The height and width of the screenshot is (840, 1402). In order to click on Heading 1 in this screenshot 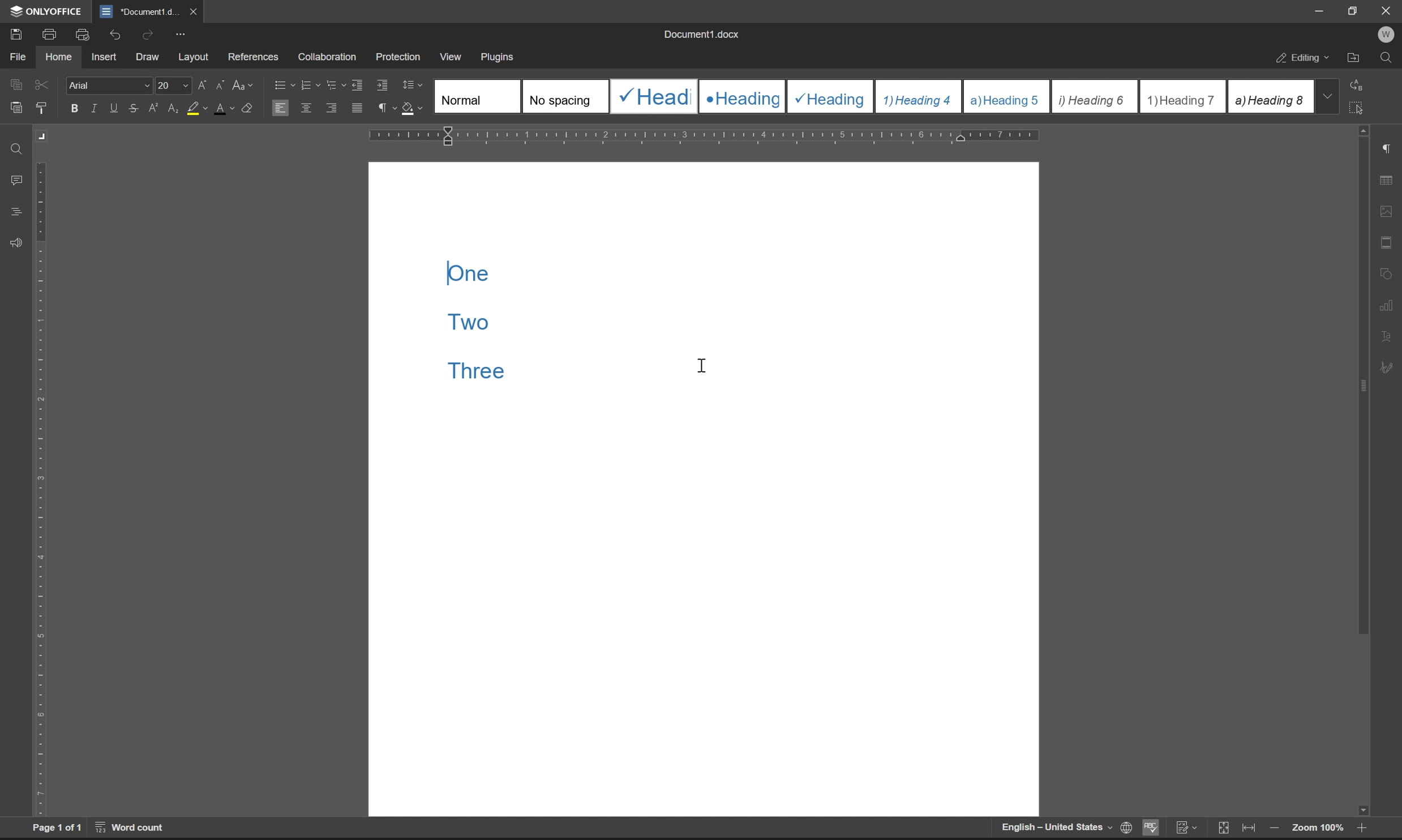, I will do `click(652, 96)`.